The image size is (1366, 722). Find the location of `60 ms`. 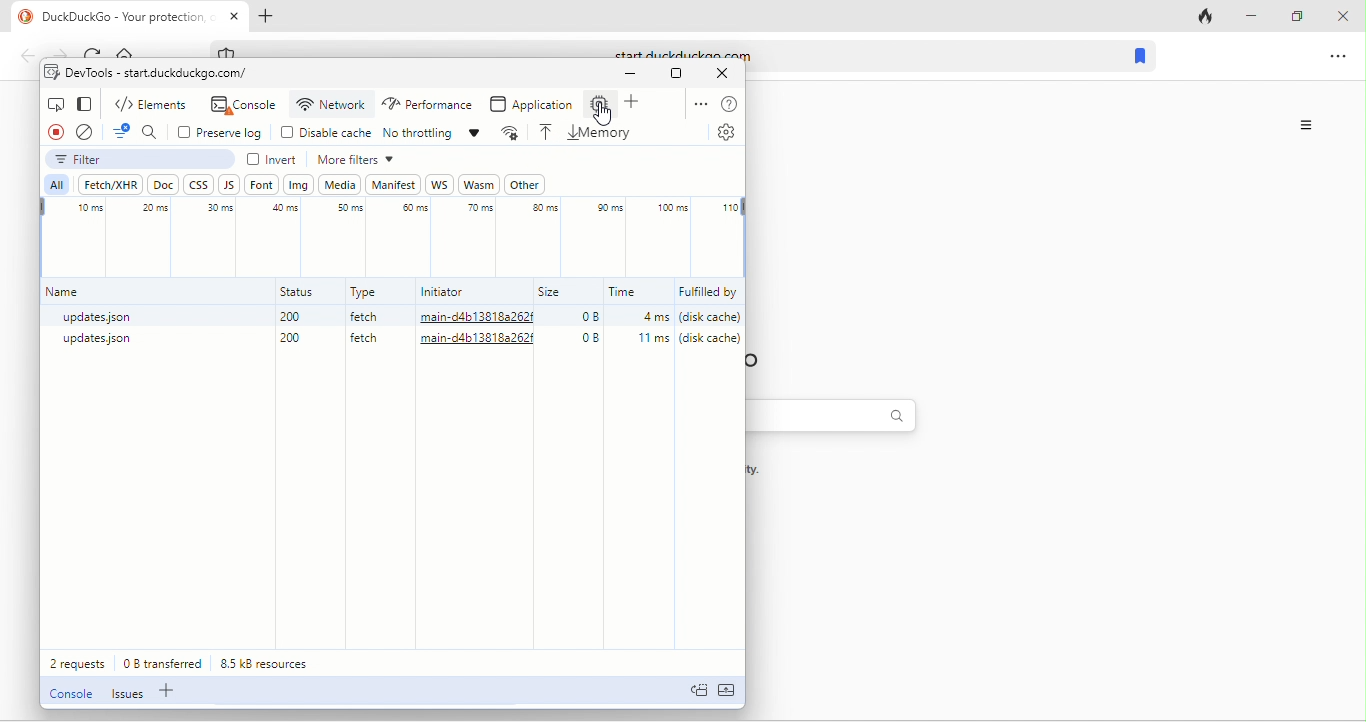

60 ms is located at coordinates (403, 214).